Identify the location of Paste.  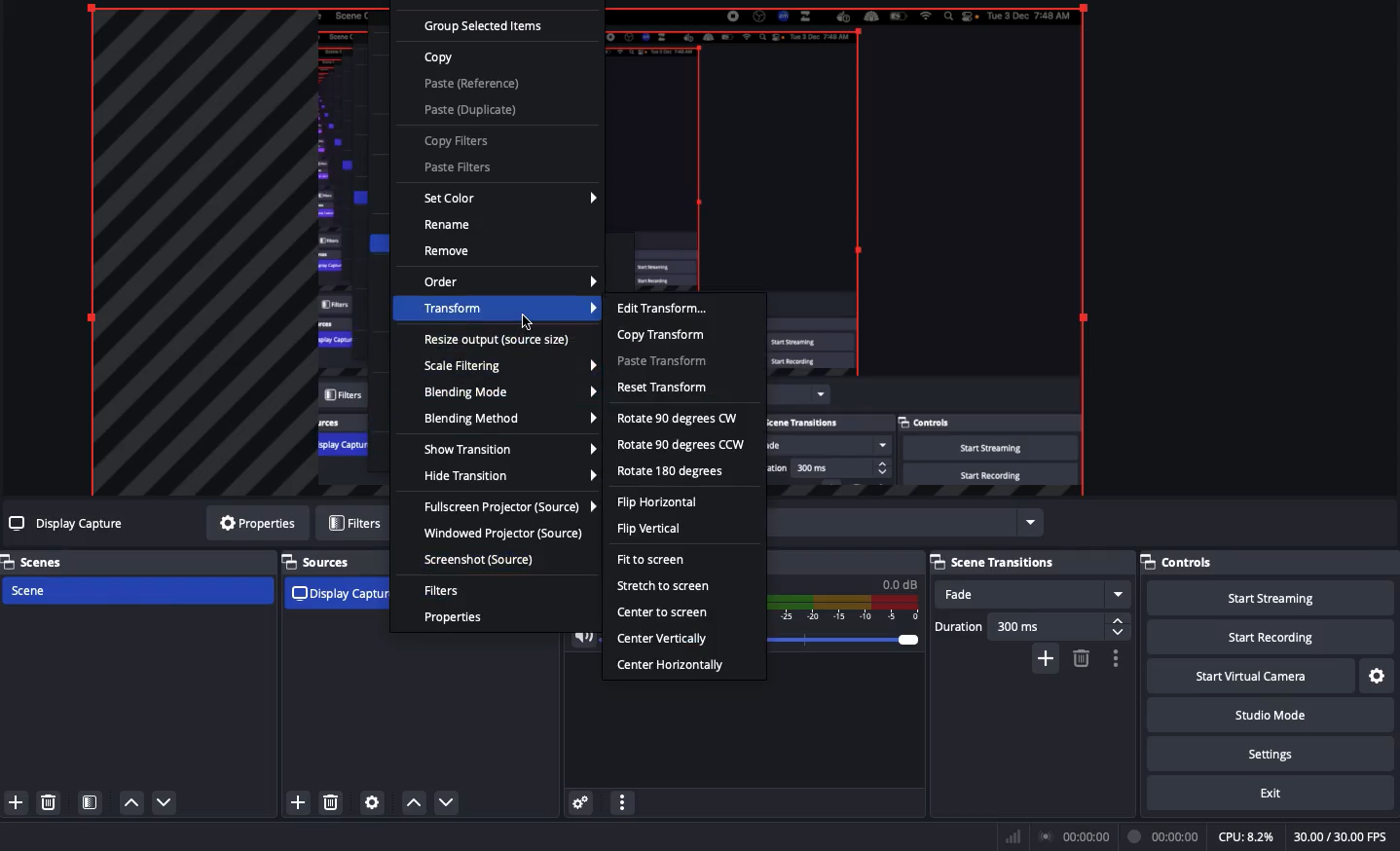
(471, 113).